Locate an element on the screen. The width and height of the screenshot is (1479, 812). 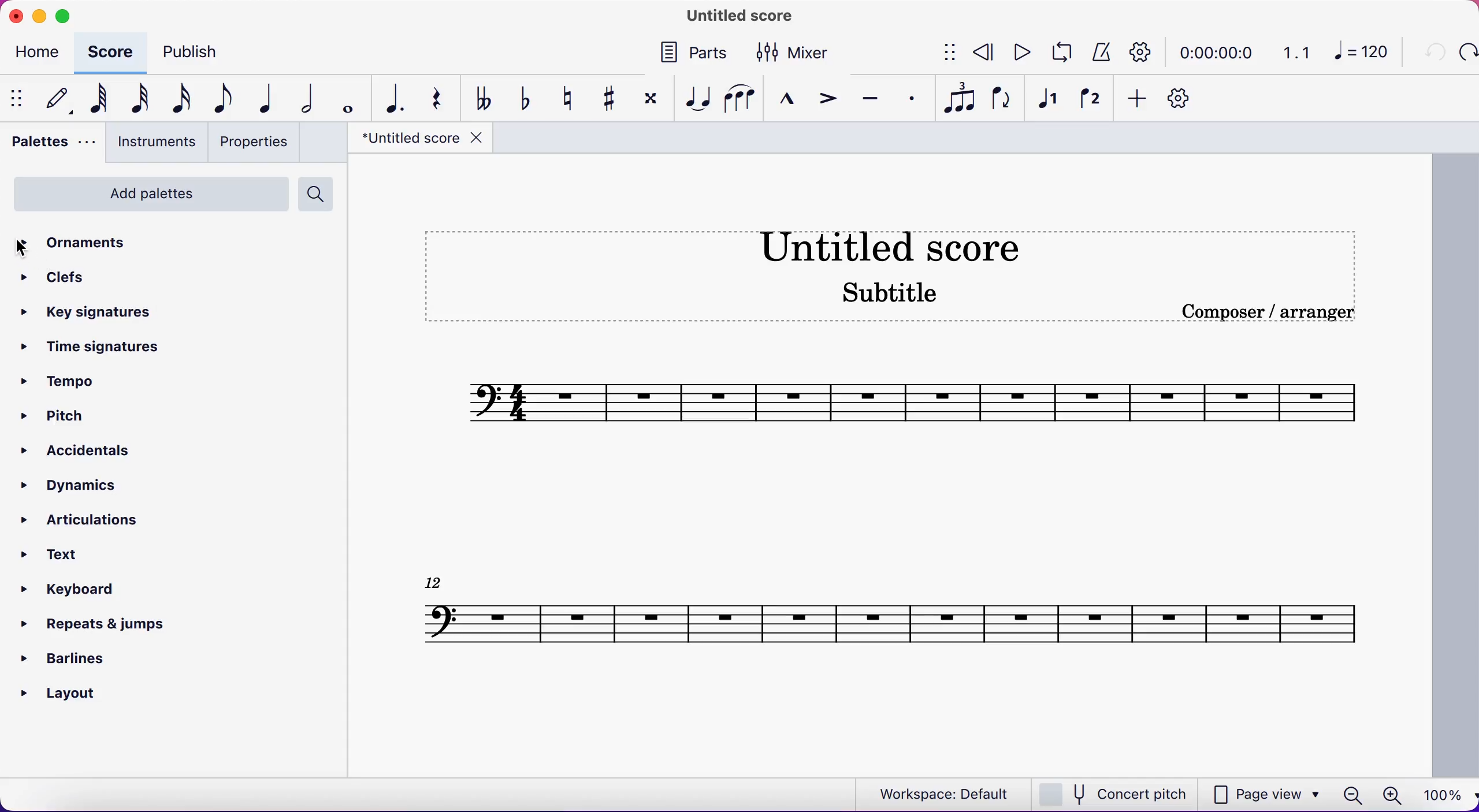
tenuto is located at coordinates (872, 98).